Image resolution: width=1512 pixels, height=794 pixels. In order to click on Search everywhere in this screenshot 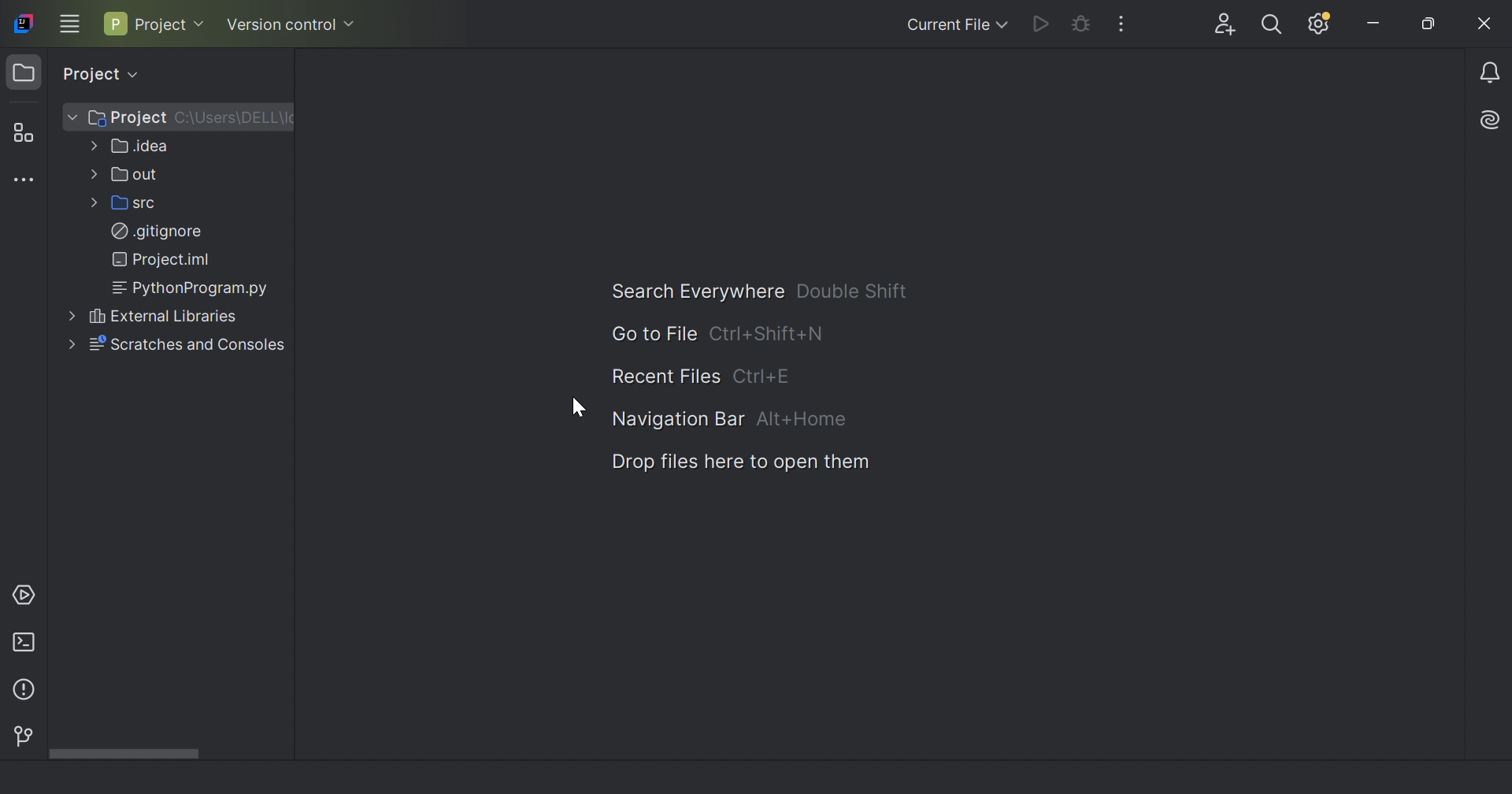, I will do `click(687, 291)`.